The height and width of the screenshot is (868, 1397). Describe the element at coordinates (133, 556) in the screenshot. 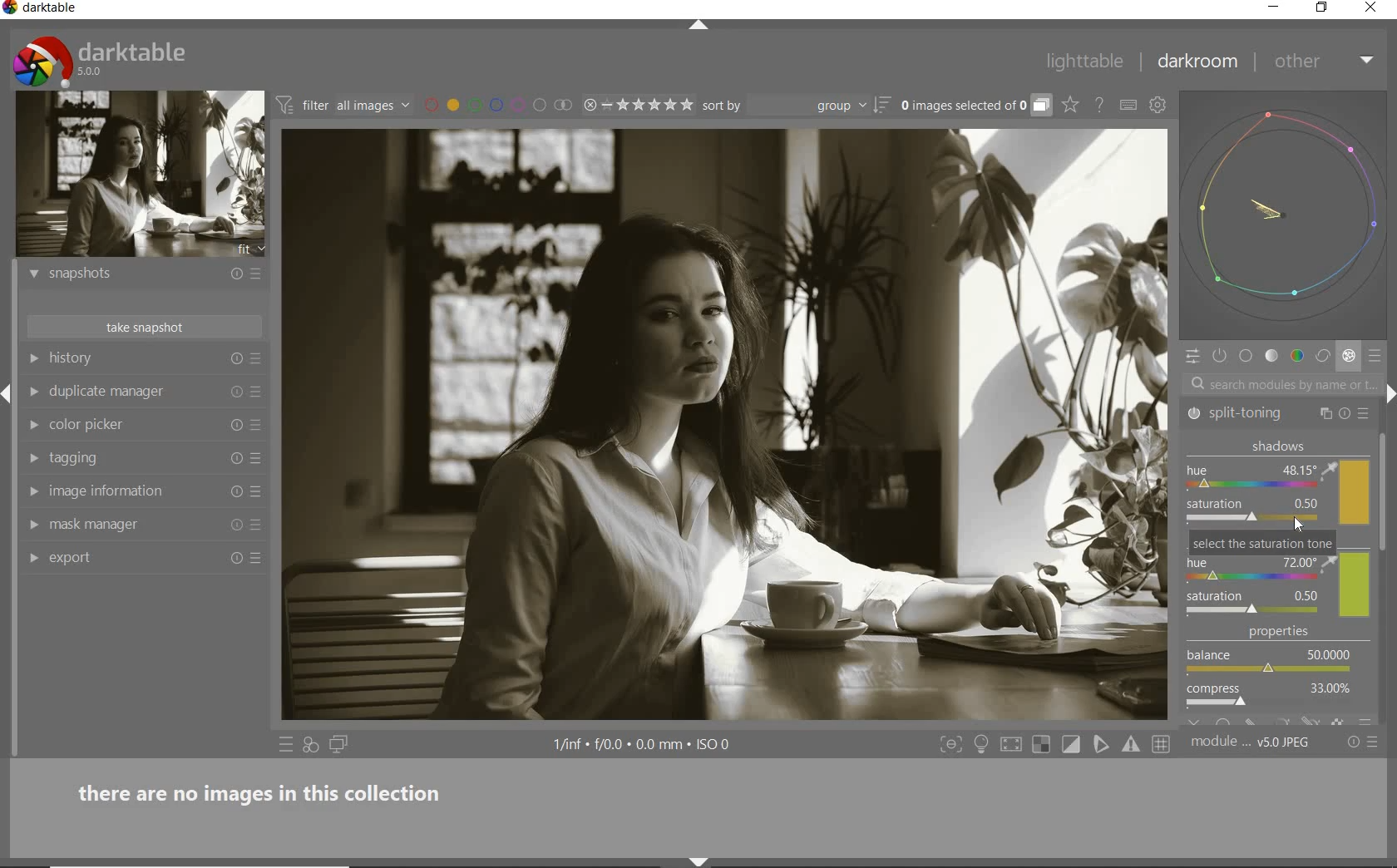

I see `export` at that location.